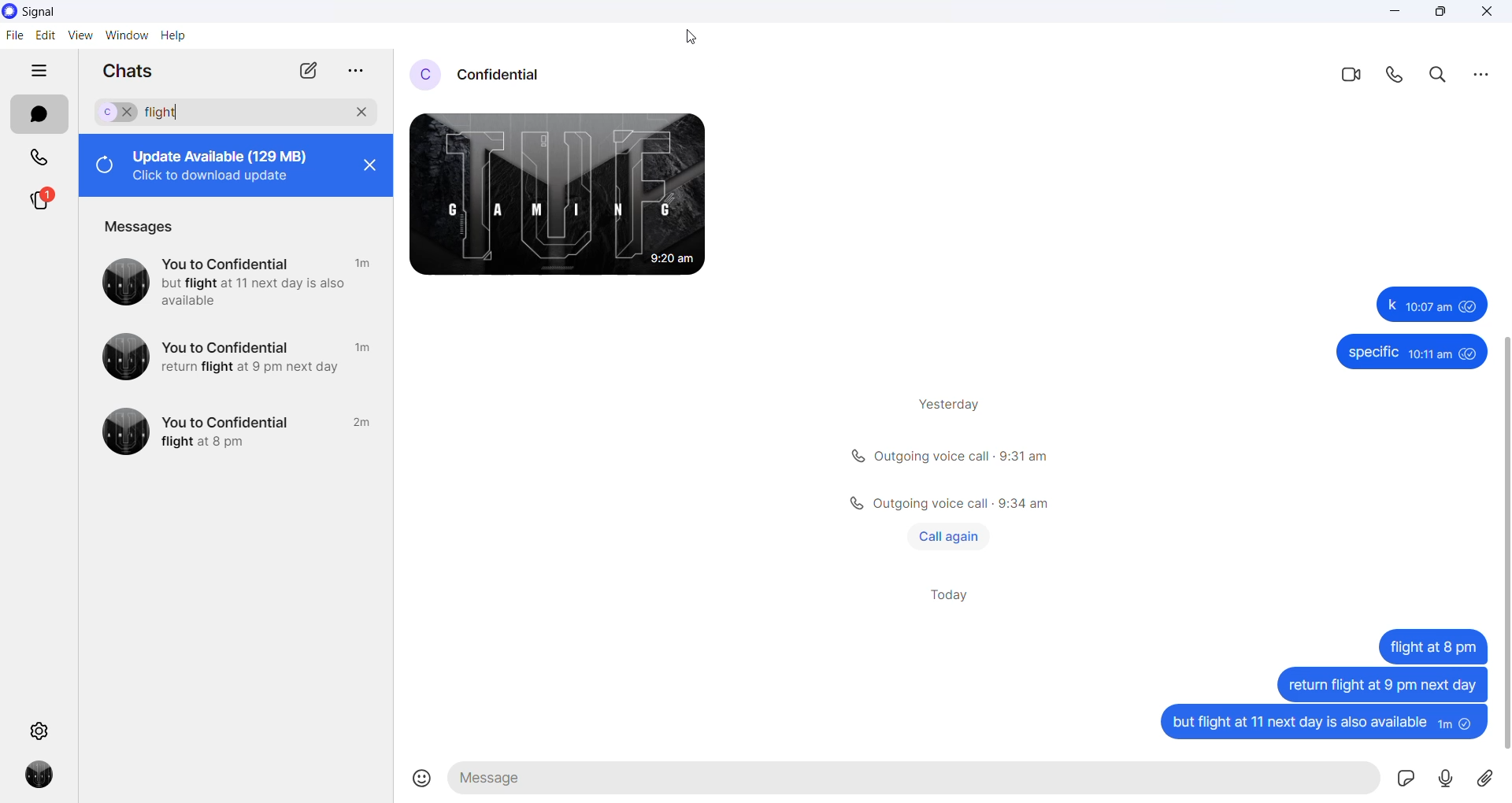 This screenshot has height=803, width=1512. Describe the element at coordinates (169, 113) in the screenshot. I see `keyword` at that location.